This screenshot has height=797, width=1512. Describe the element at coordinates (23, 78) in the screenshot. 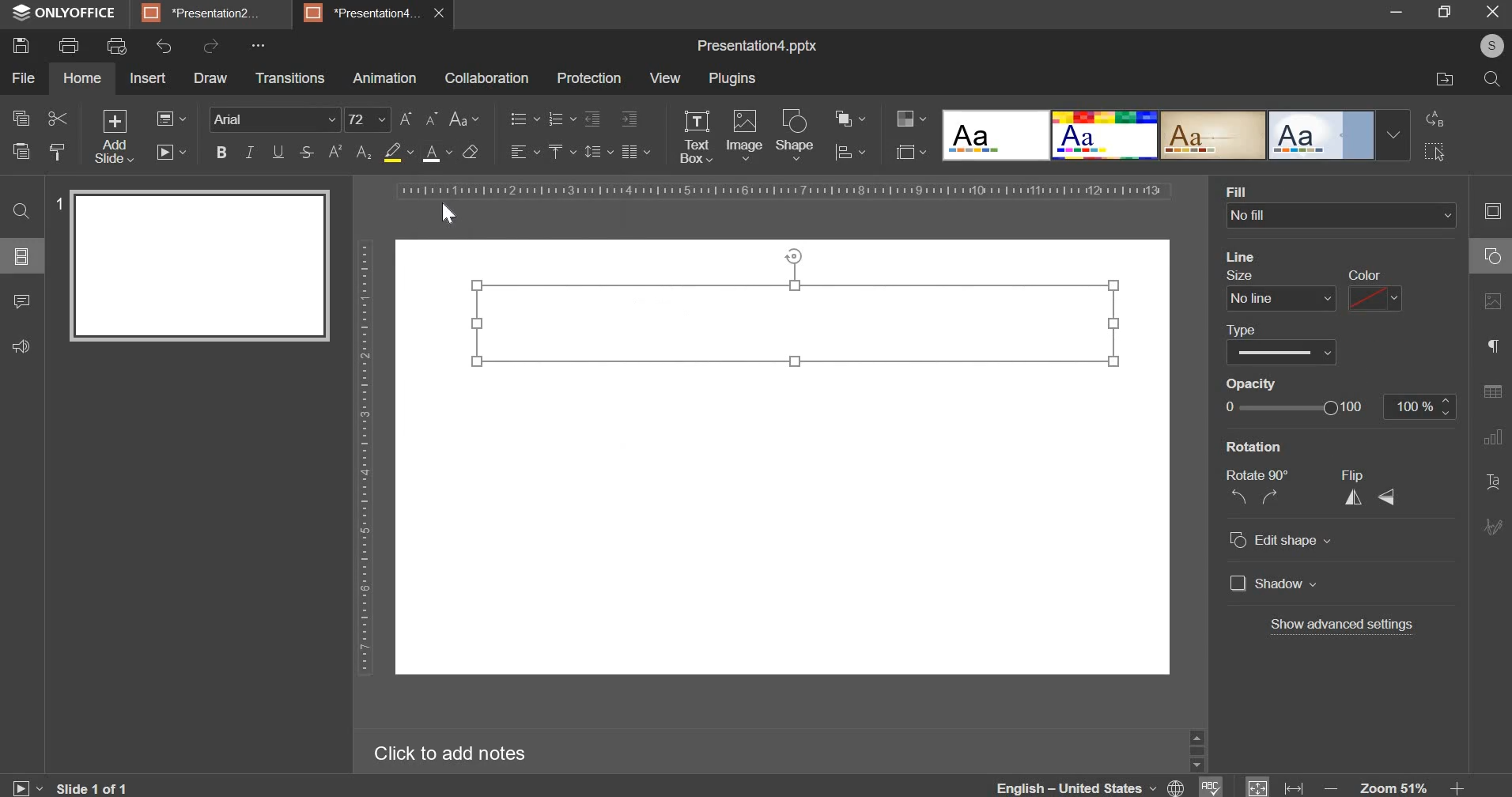

I see `file` at that location.